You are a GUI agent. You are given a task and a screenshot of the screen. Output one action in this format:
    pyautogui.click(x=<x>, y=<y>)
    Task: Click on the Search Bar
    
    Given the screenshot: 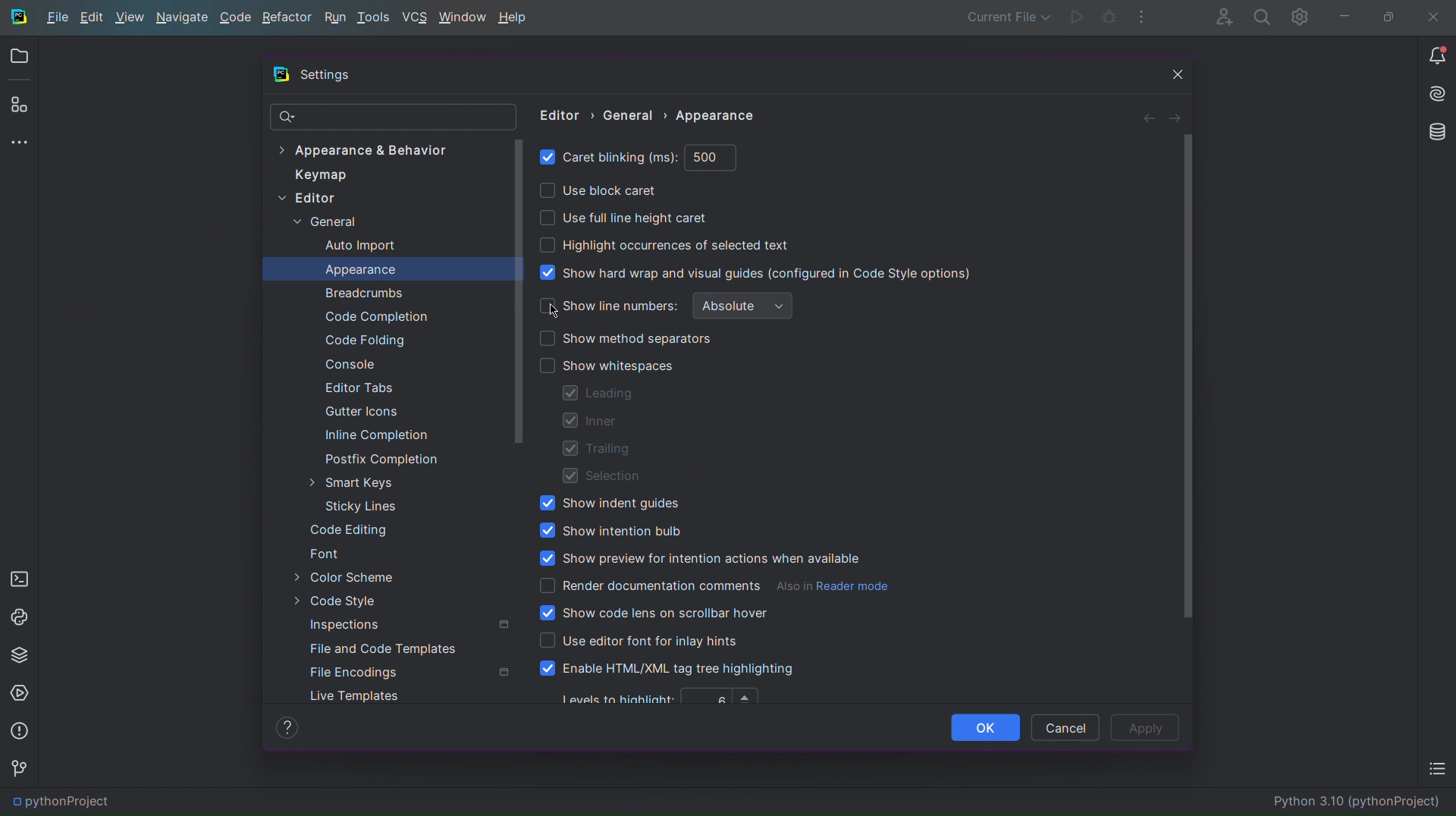 What is the action you would take?
    pyautogui.click(x=392, y=117)
    